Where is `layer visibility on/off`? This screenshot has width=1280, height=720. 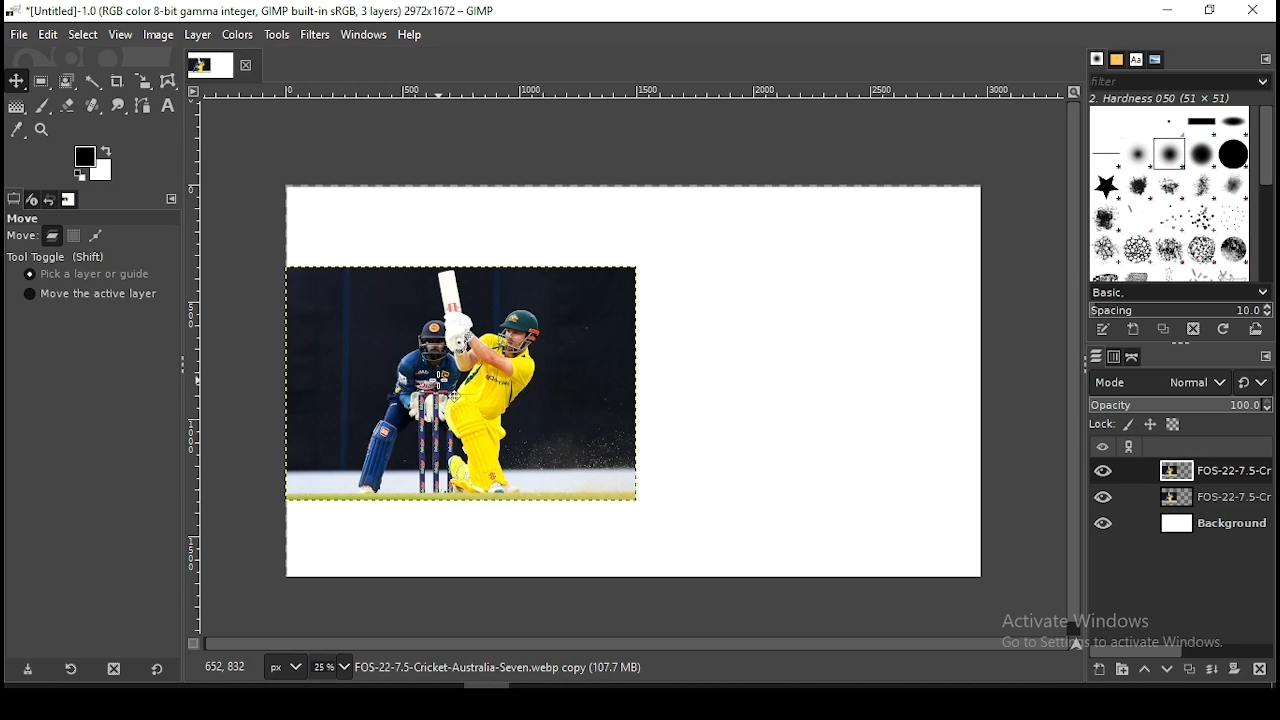 layer visibility on/off is located at coordinates (1105, 521).